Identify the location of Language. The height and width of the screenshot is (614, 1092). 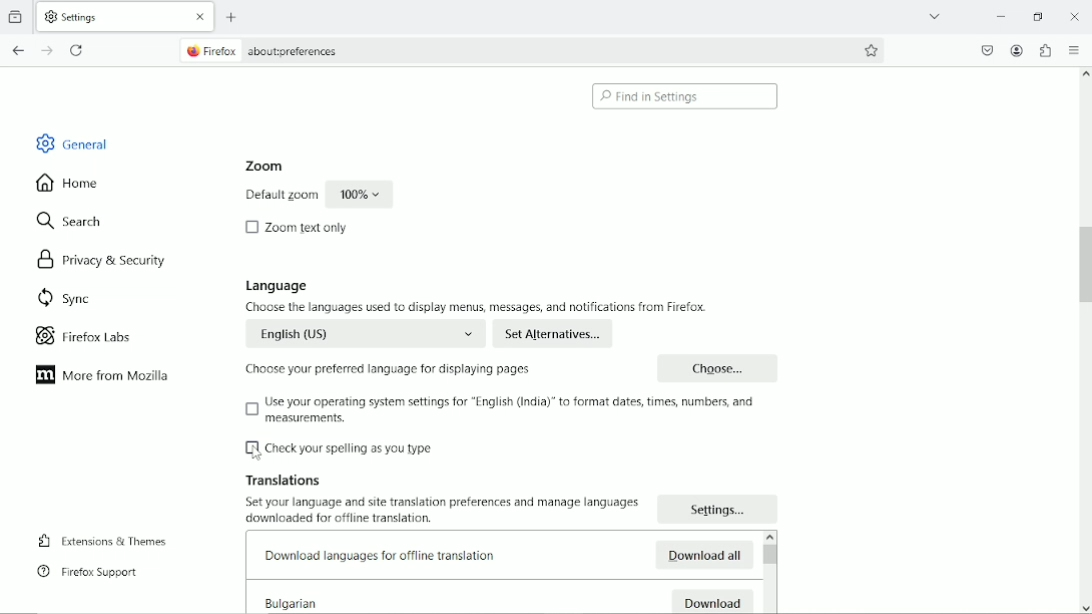
(273, 286).